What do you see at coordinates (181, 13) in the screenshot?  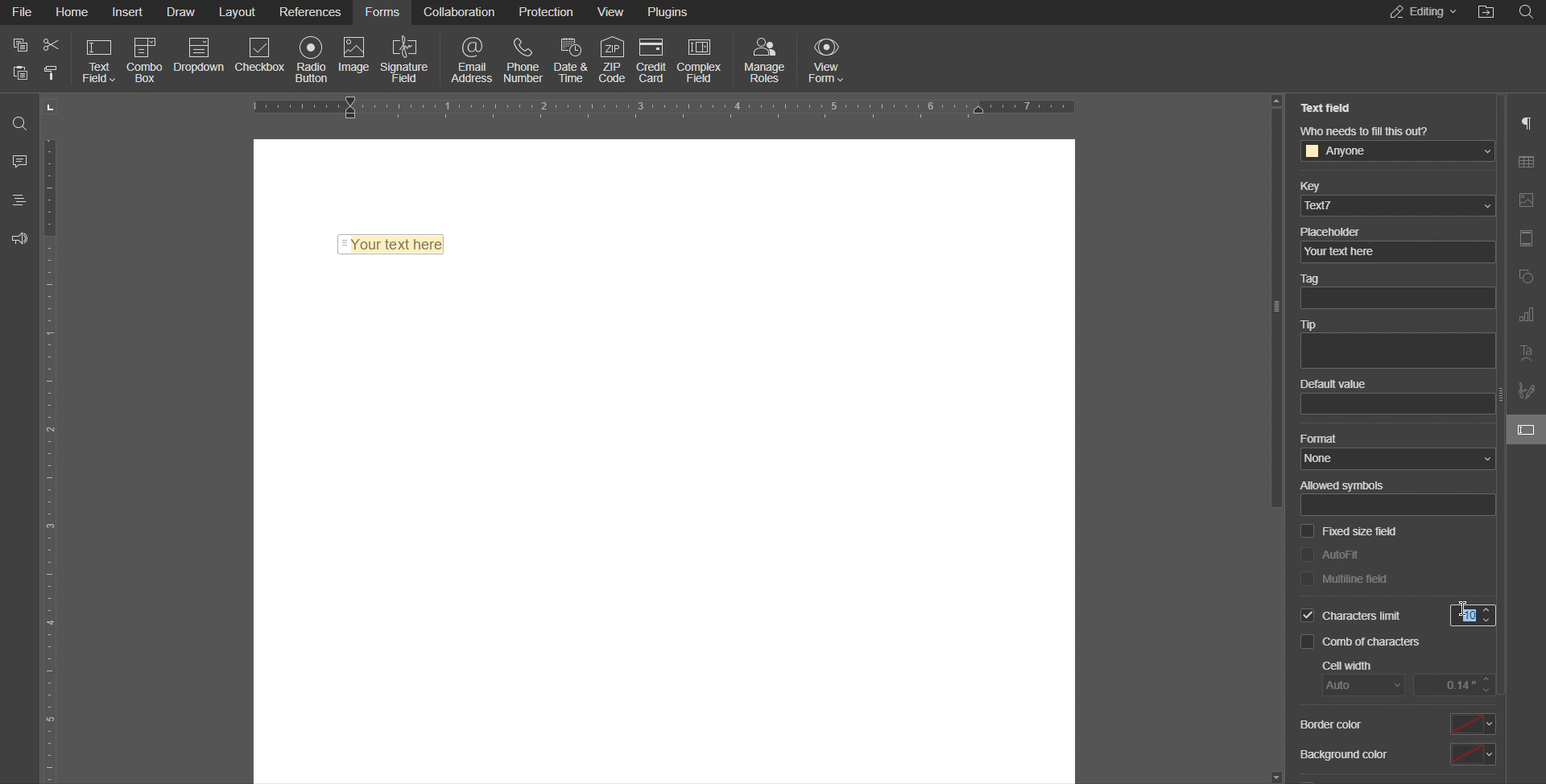 I see `Draw` at bounding box center [181, 13].